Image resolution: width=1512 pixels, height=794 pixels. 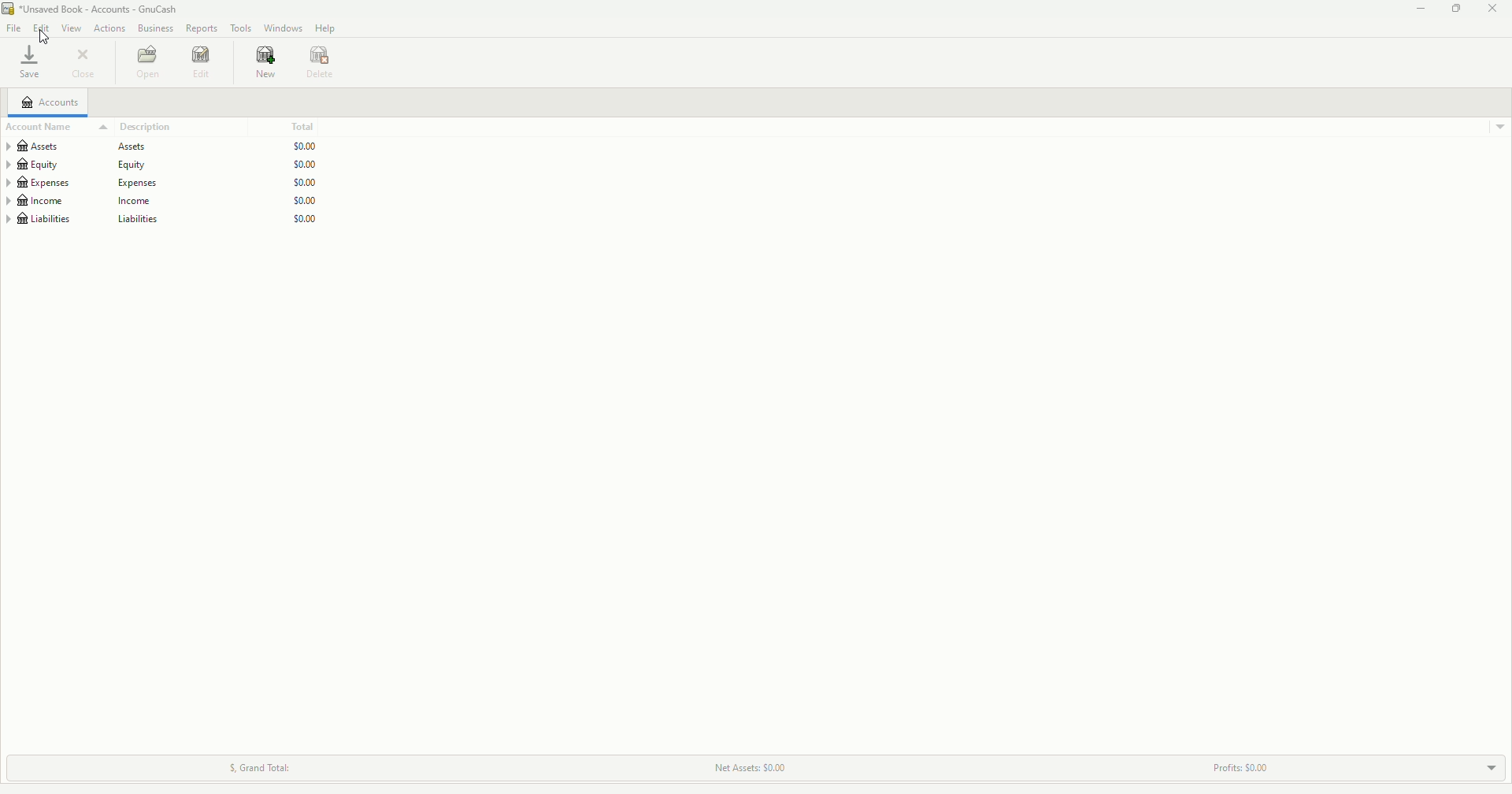 What do you see at coordinates (43, 28) in the screenshot?
I see `Edit` at bounding box center [43, 28].